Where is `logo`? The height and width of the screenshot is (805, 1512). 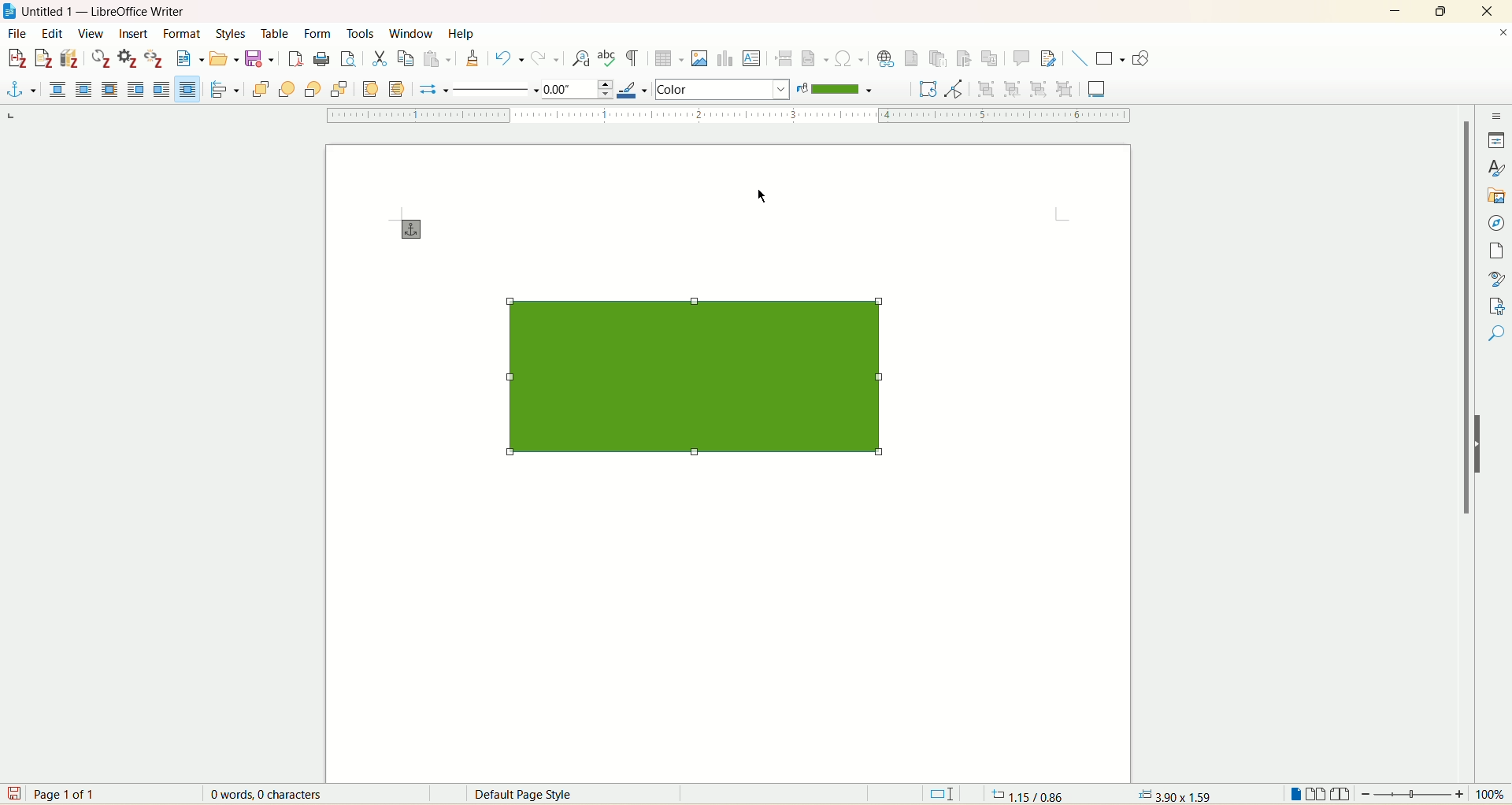
logo is located at coordinates (9, 12).